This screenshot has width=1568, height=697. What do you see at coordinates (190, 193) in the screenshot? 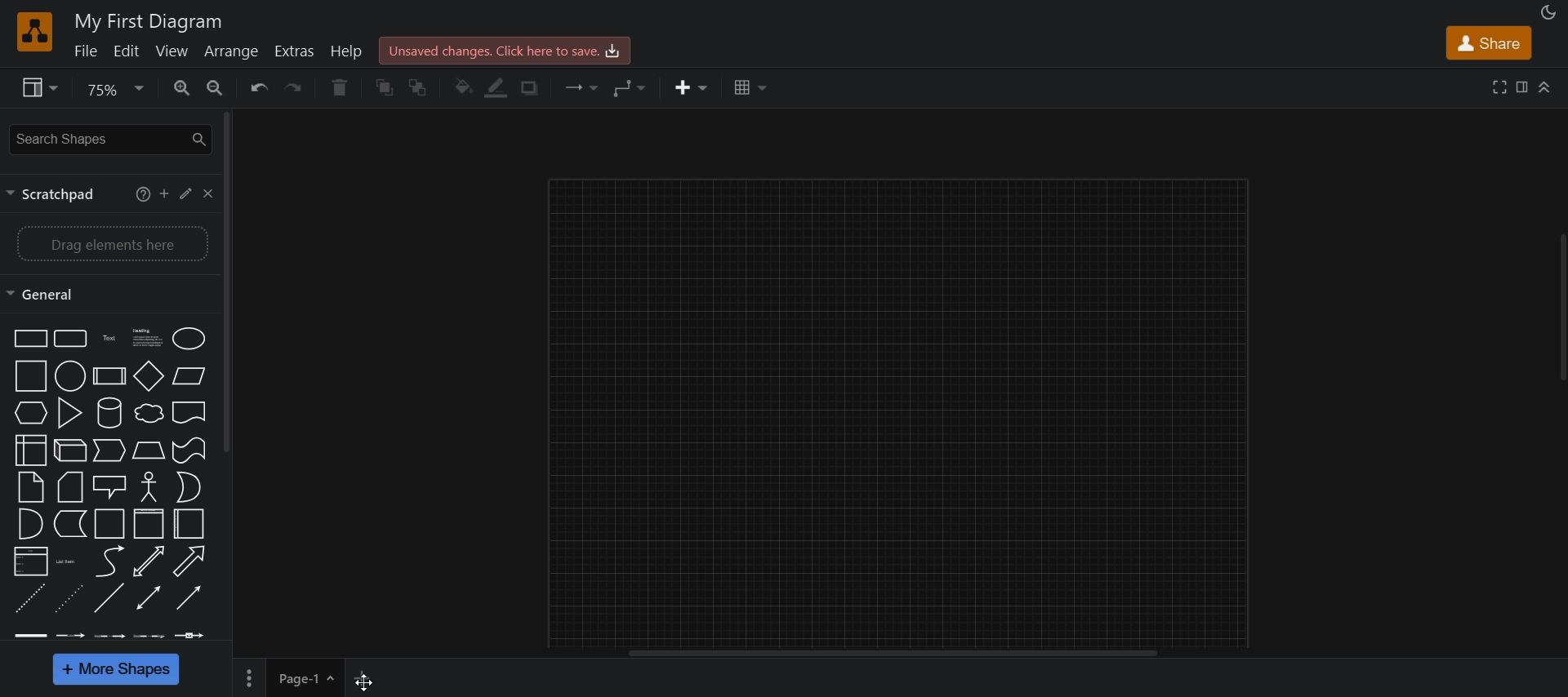
I see `edit` at bounding box center [190, 193].